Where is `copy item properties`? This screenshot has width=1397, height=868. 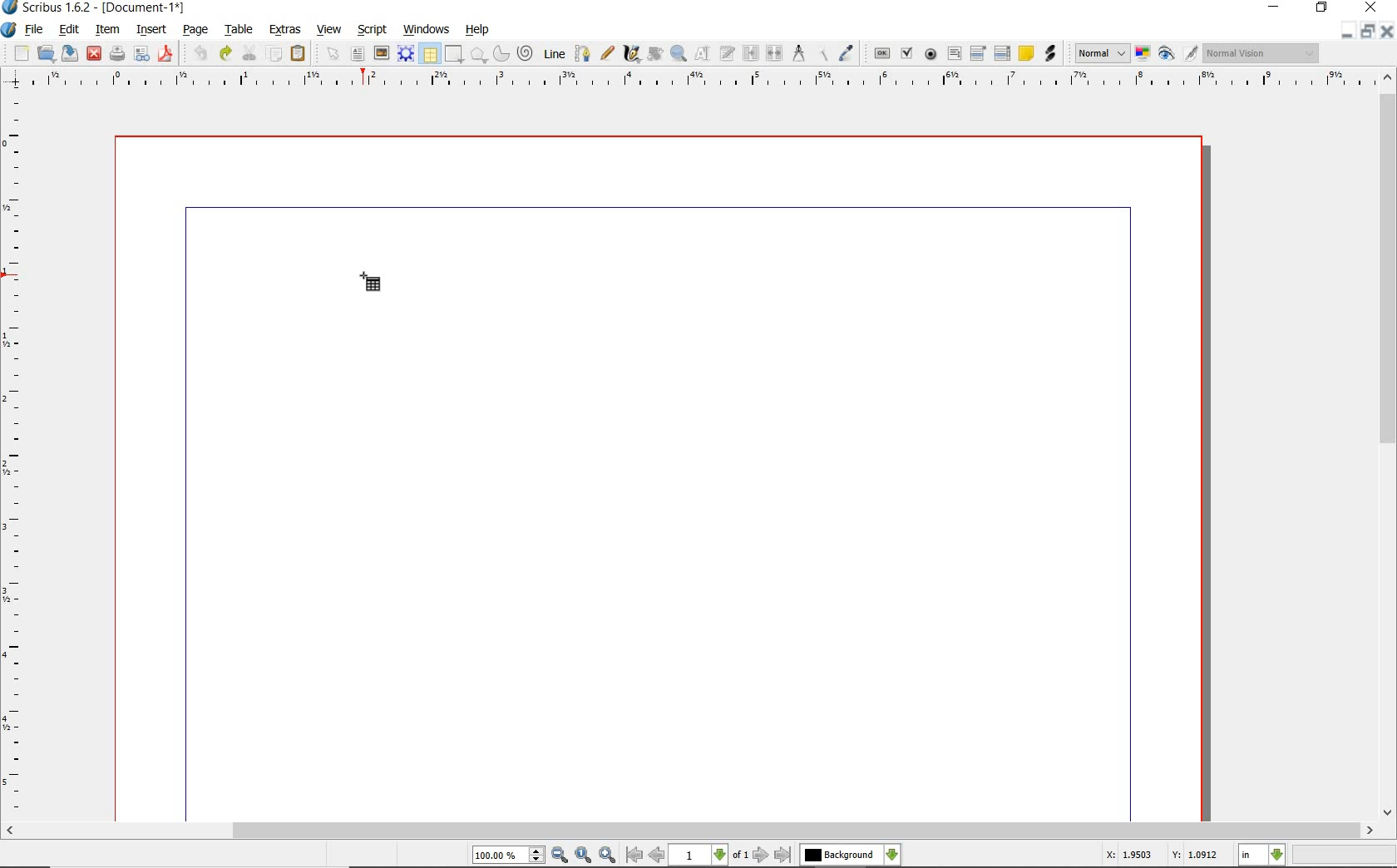 copy item properties is located at coordinates (822, 54).